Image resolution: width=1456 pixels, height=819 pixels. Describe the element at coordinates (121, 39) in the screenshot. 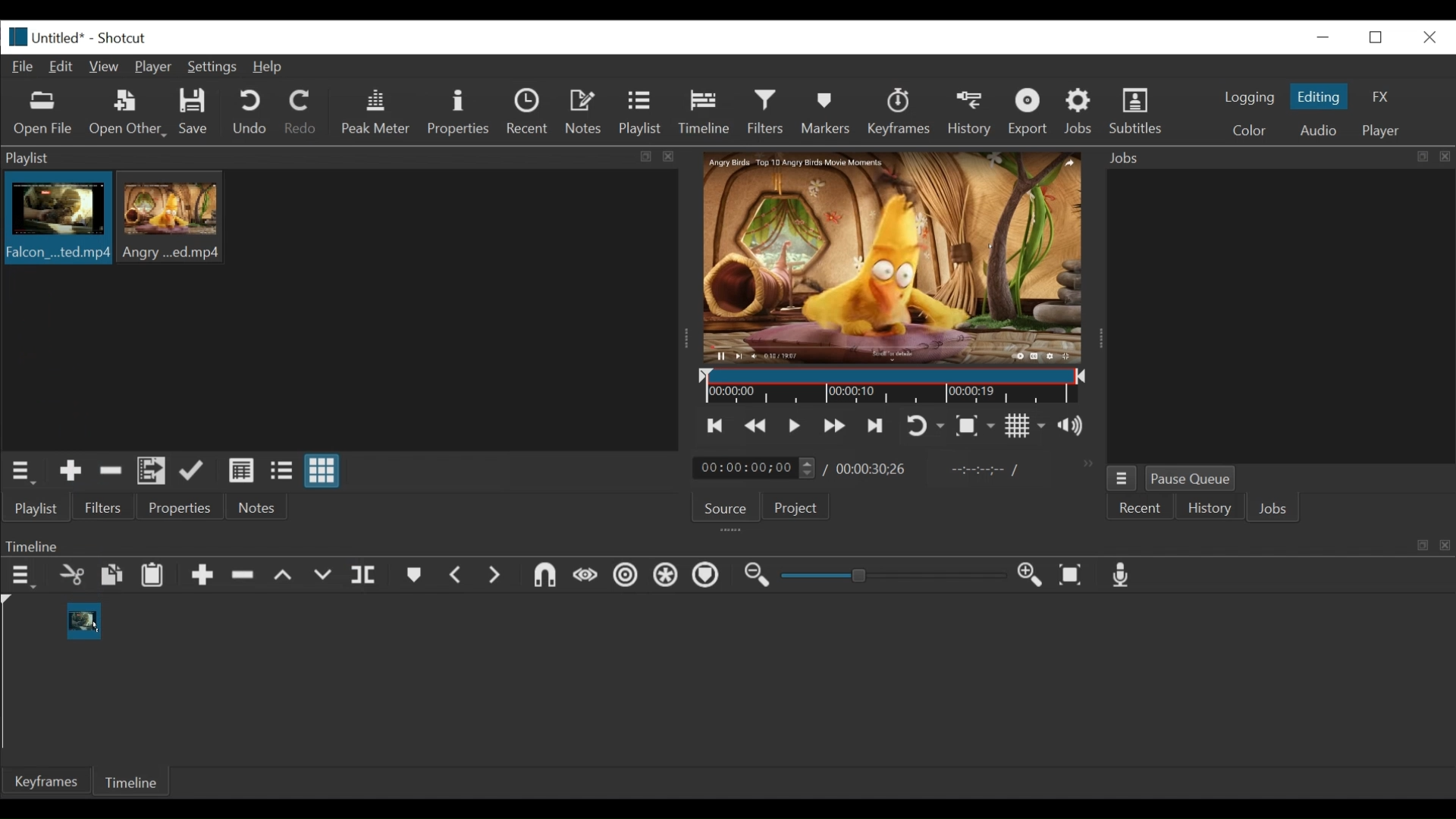

I see `Shotcut` at that location.